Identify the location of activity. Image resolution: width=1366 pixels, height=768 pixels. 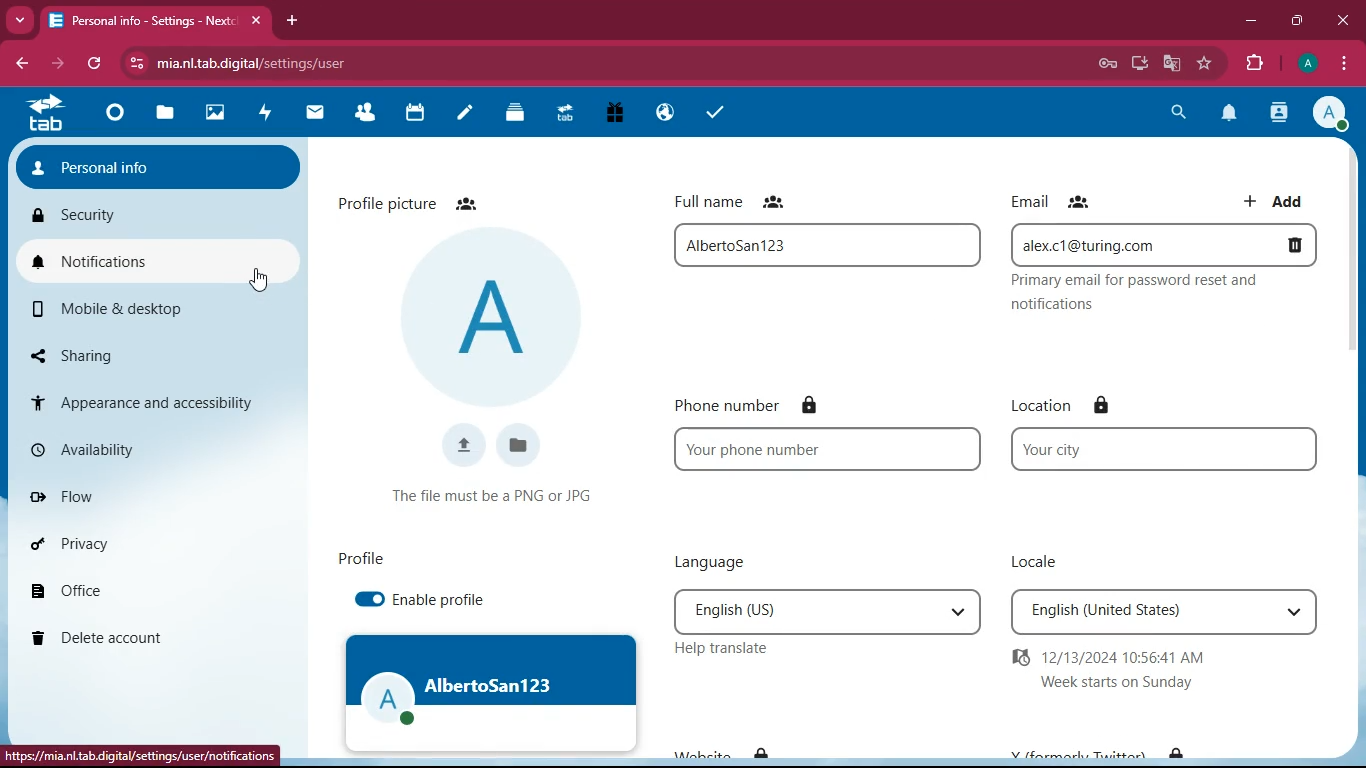
(1280, 114).